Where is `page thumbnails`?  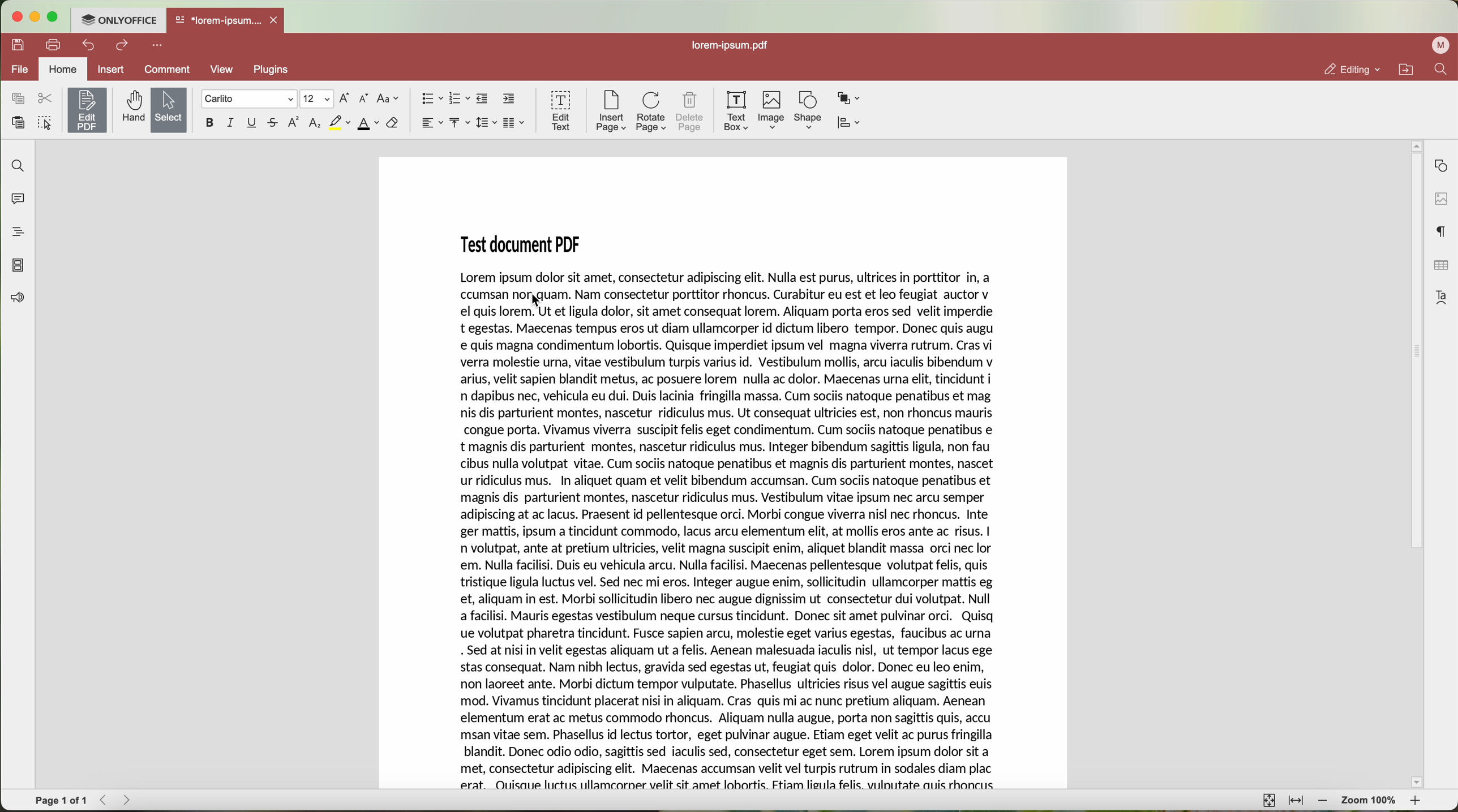
page thumbnails is located at coordinates (18, 265).